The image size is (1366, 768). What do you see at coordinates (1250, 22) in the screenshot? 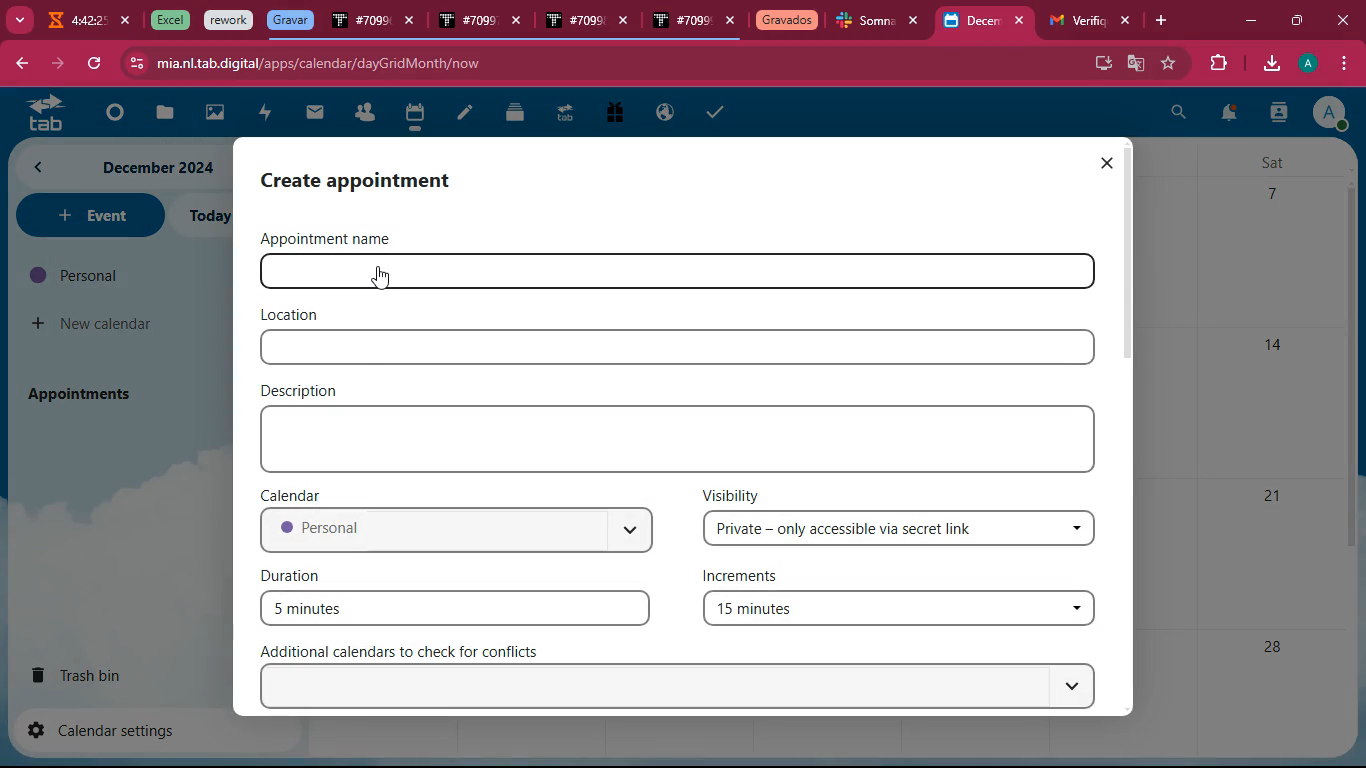
I see `minimize` at bounding box center [1250, 22].